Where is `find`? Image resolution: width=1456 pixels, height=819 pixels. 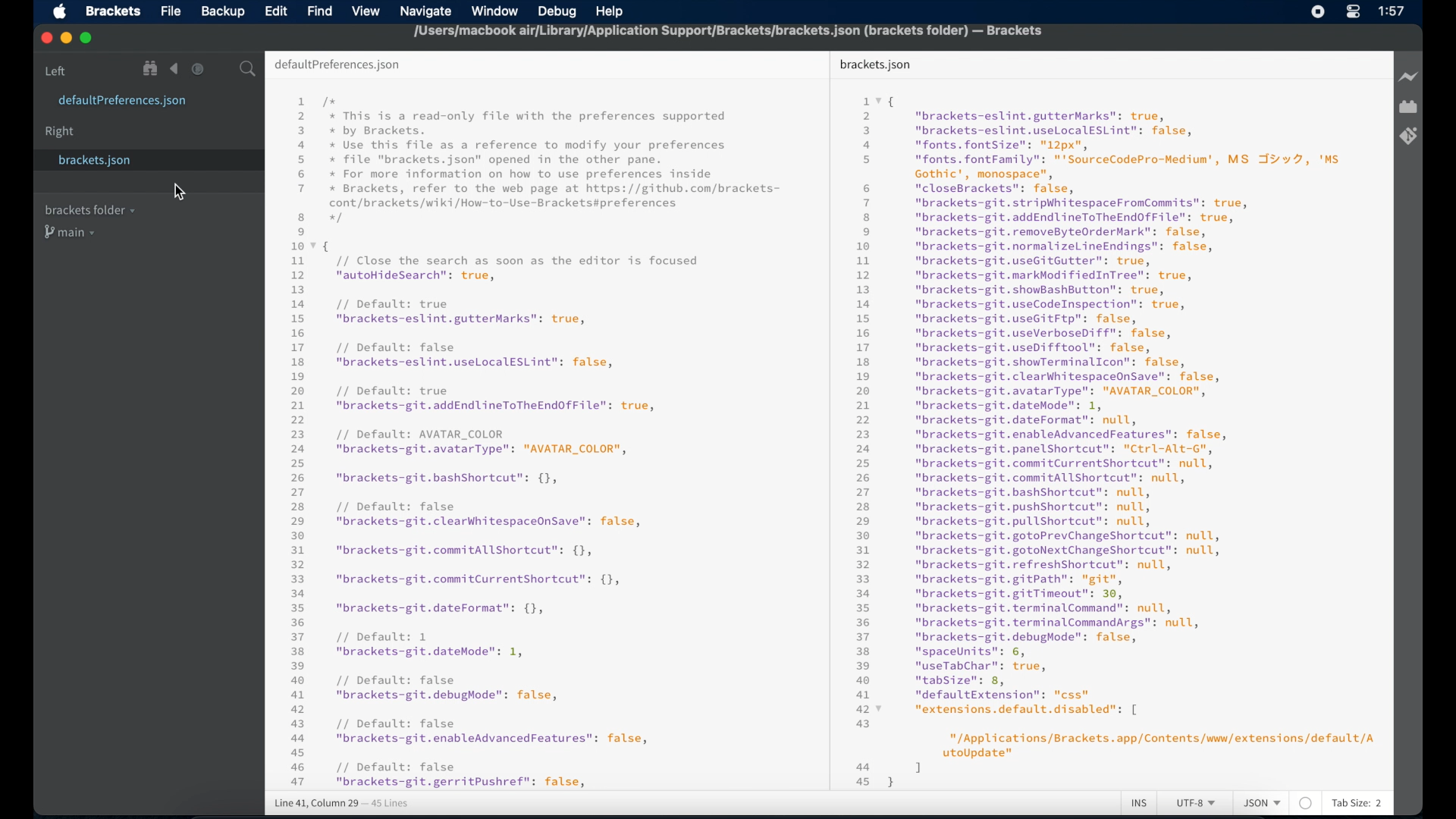 find is located at coordinates (320, 11).